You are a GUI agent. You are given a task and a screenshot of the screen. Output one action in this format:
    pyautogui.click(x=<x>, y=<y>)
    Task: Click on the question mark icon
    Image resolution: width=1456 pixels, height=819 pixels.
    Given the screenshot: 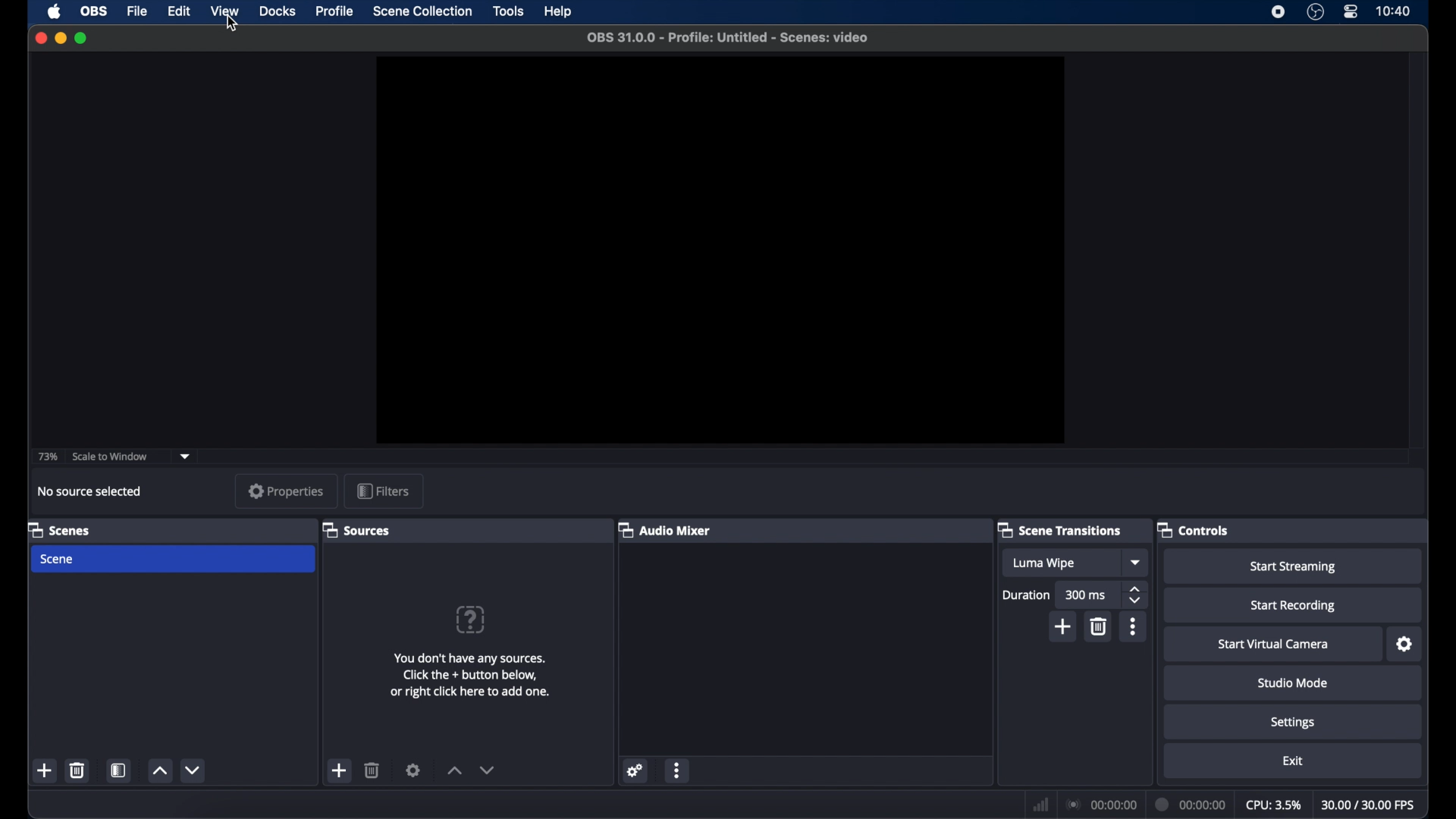 What is the action you would take?
    pyautogui.click(x=472, y=619)
    